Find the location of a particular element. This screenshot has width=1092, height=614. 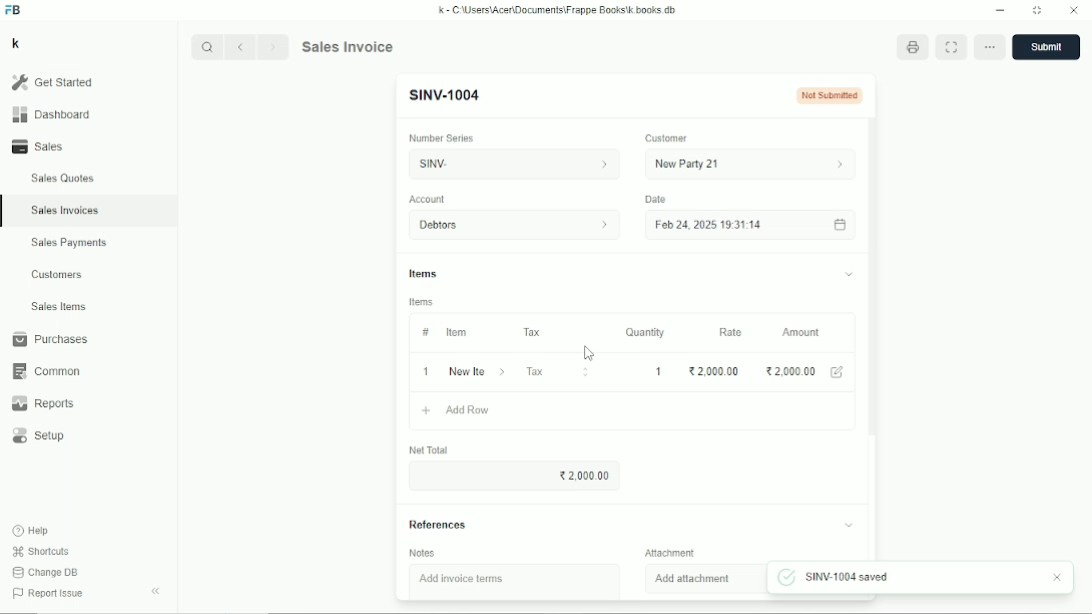

Account is located at coordinates (428, 199).